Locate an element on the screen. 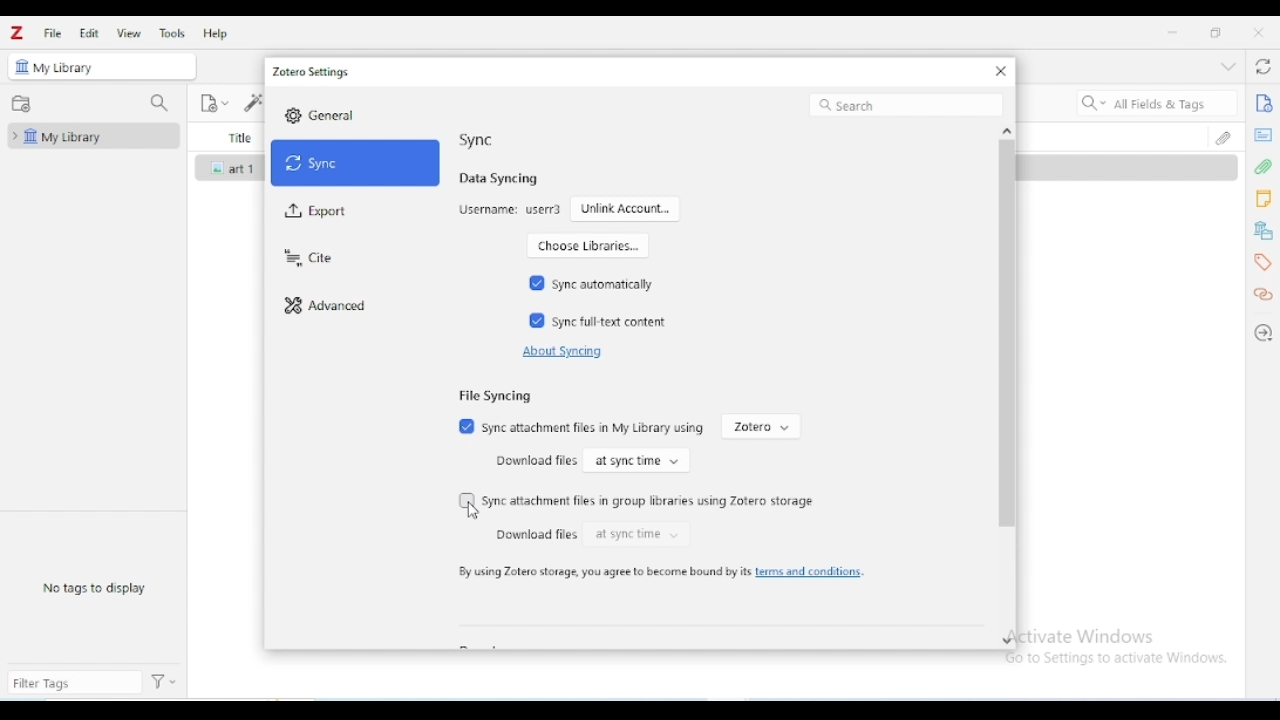 The width and height of the screenshot is (1280, 720). my library is located at coordinates (66, 68).